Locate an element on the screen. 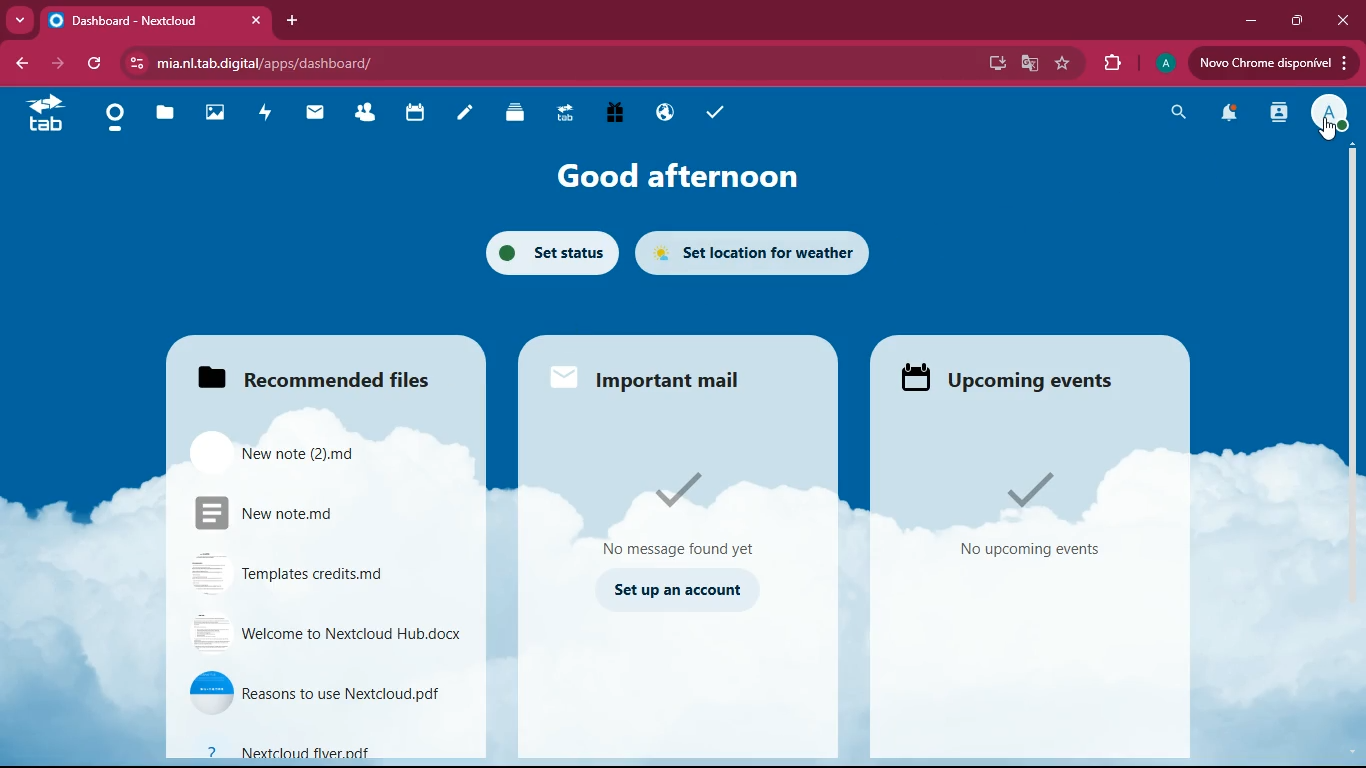  home is located at coordinates (114, 119).